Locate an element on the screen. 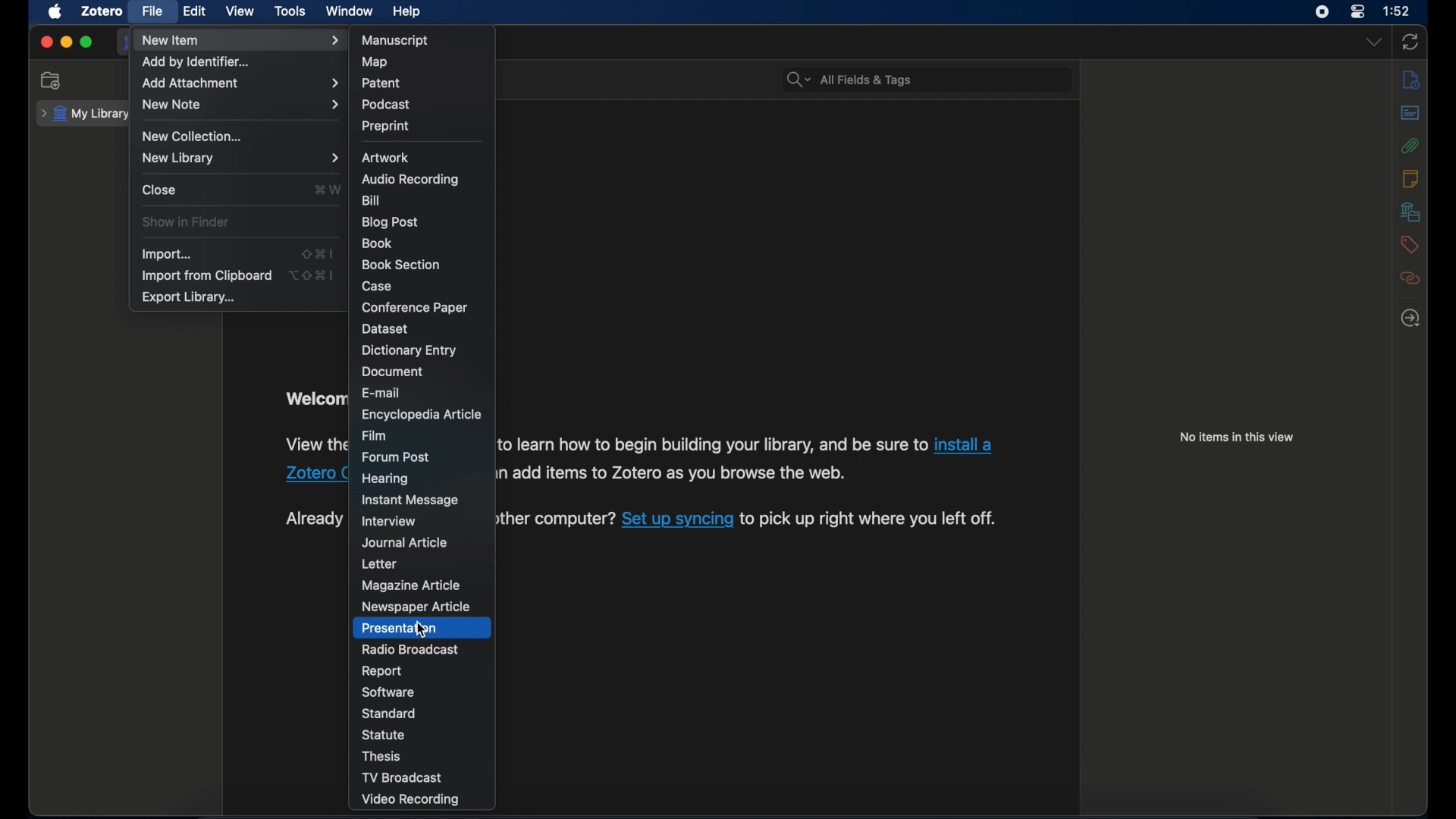 The height and width of the screenshot is (819, 1456). case is located at coordinates (377, 286).